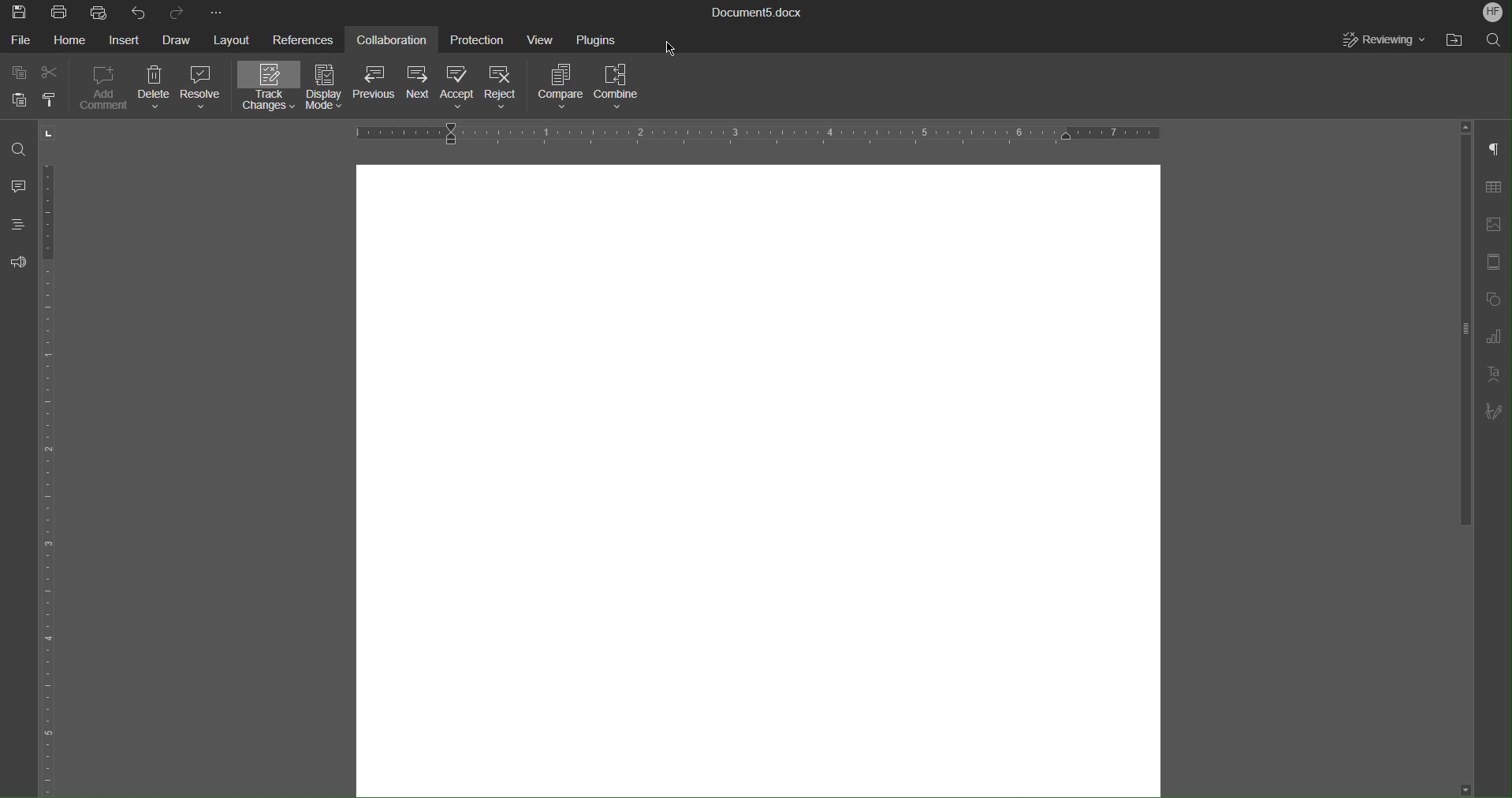 This screenshot has height=798, width=1512. What do you see at coordinates (50, 481) in the screenshot?
I see `Vertical Ruler` at bounding box center [50, 481].